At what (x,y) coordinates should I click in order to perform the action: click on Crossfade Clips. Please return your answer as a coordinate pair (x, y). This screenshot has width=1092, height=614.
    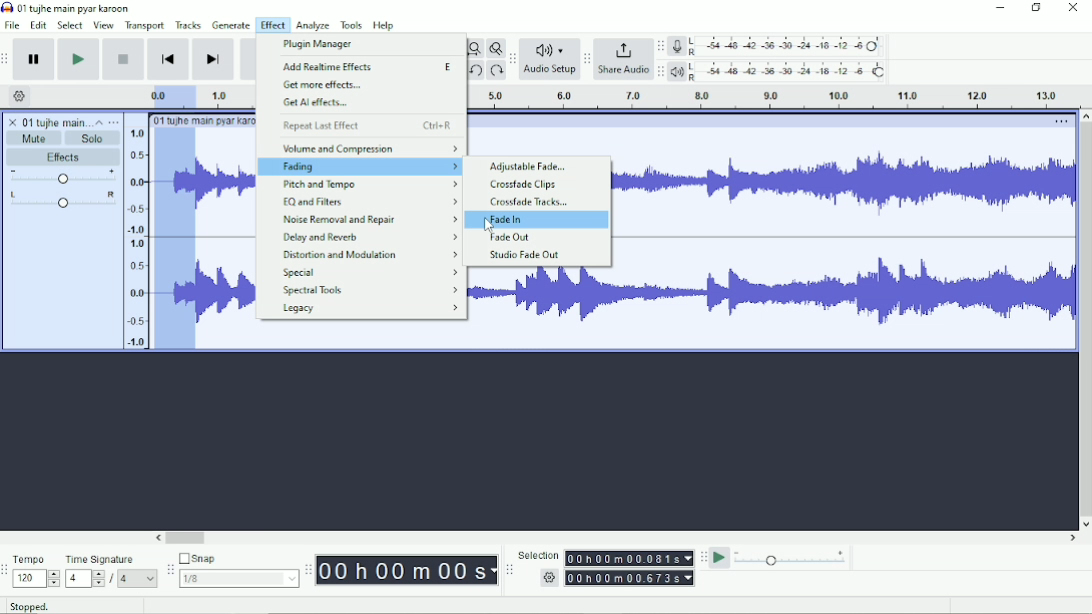
    Looking at the image, I should click on (526, 185).